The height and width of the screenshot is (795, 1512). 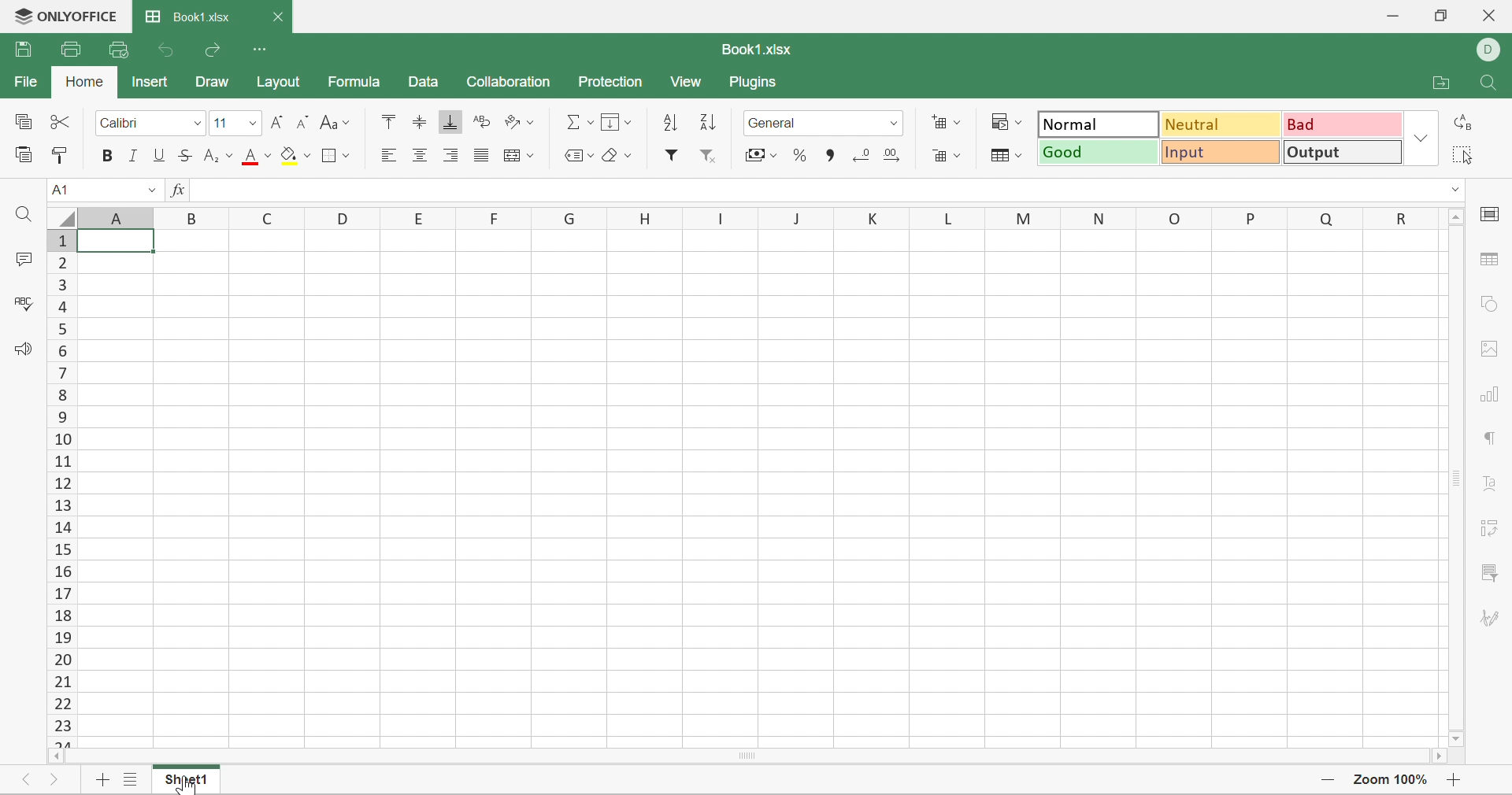 I want to click on filter, so click(x=669, y=157).